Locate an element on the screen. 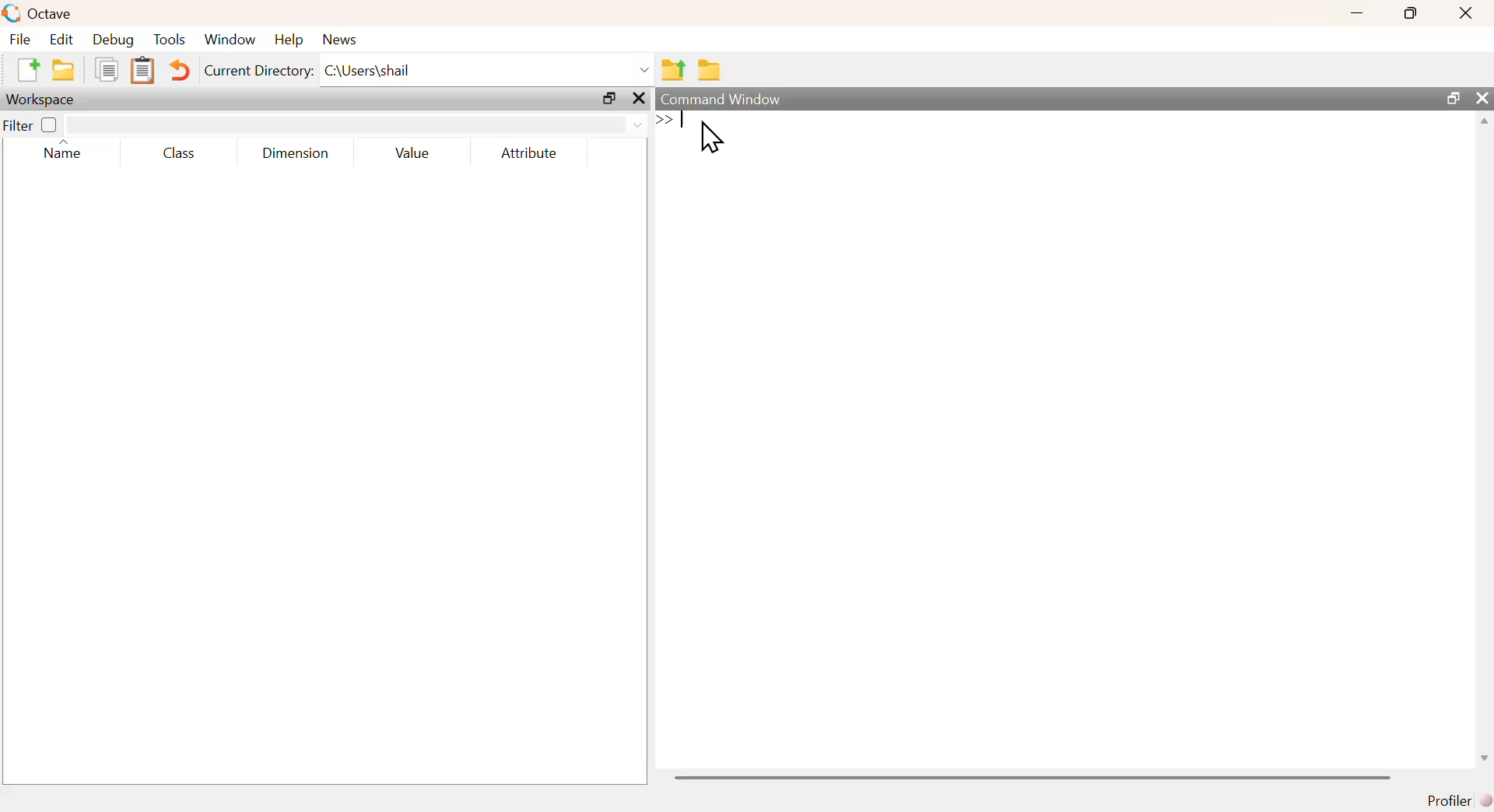  command window is located at coordinates (721, 96).